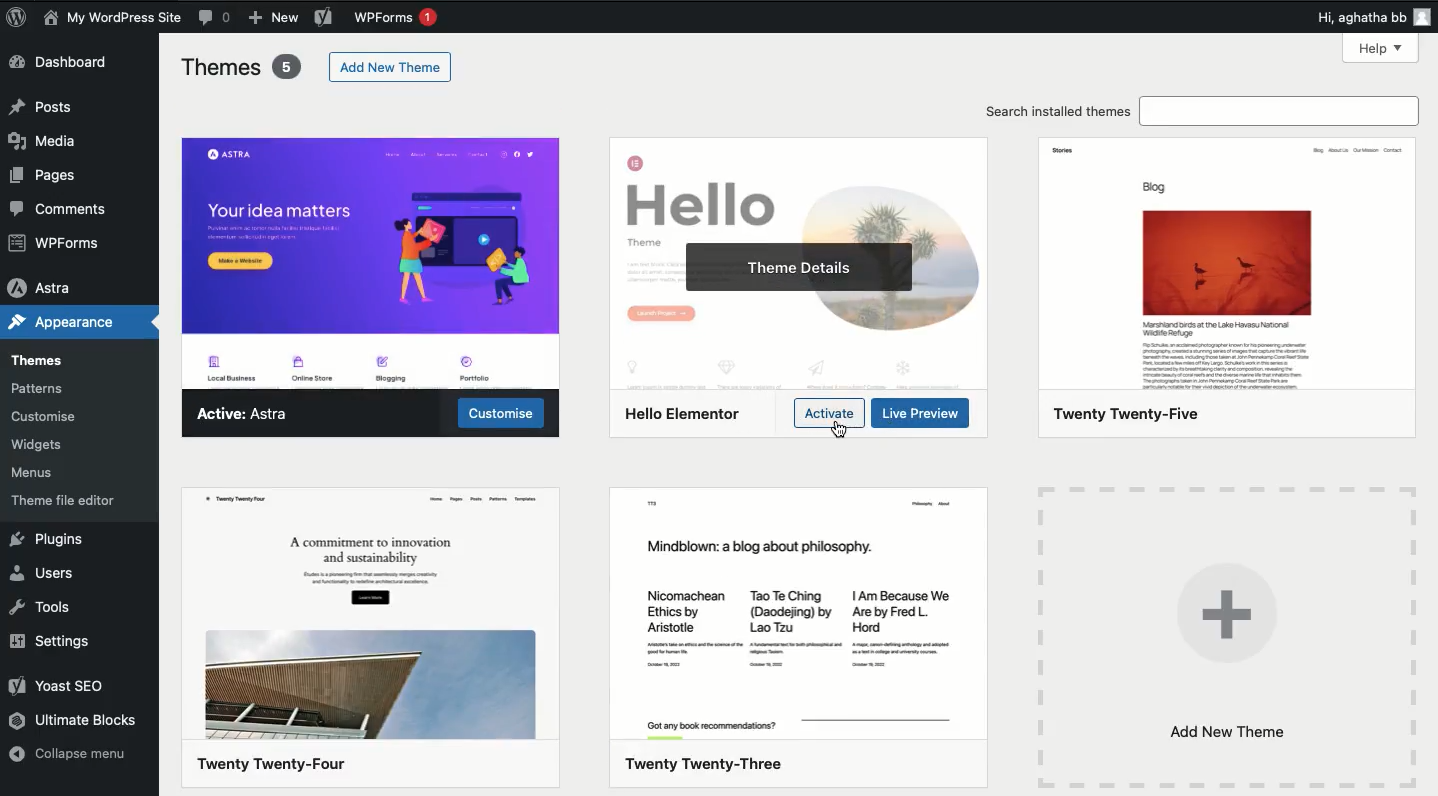 This screenshot has height=796, width=1438. What do you see at coordinates (39, 358) in the screenshot?
I see `Themes` at bounding box center [39, 358].